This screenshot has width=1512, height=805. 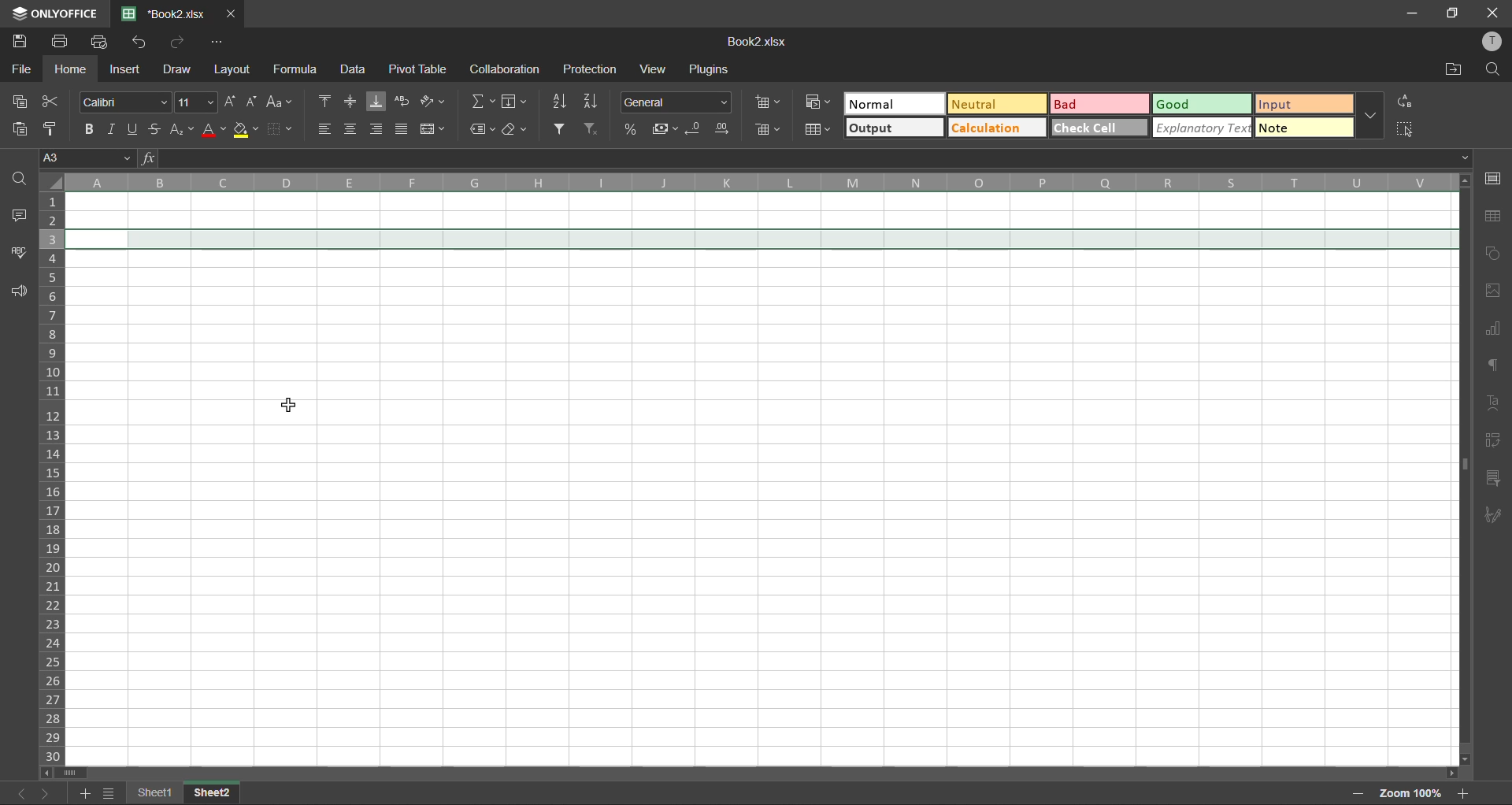 I want to click on align top, so click(x=324, y=101).